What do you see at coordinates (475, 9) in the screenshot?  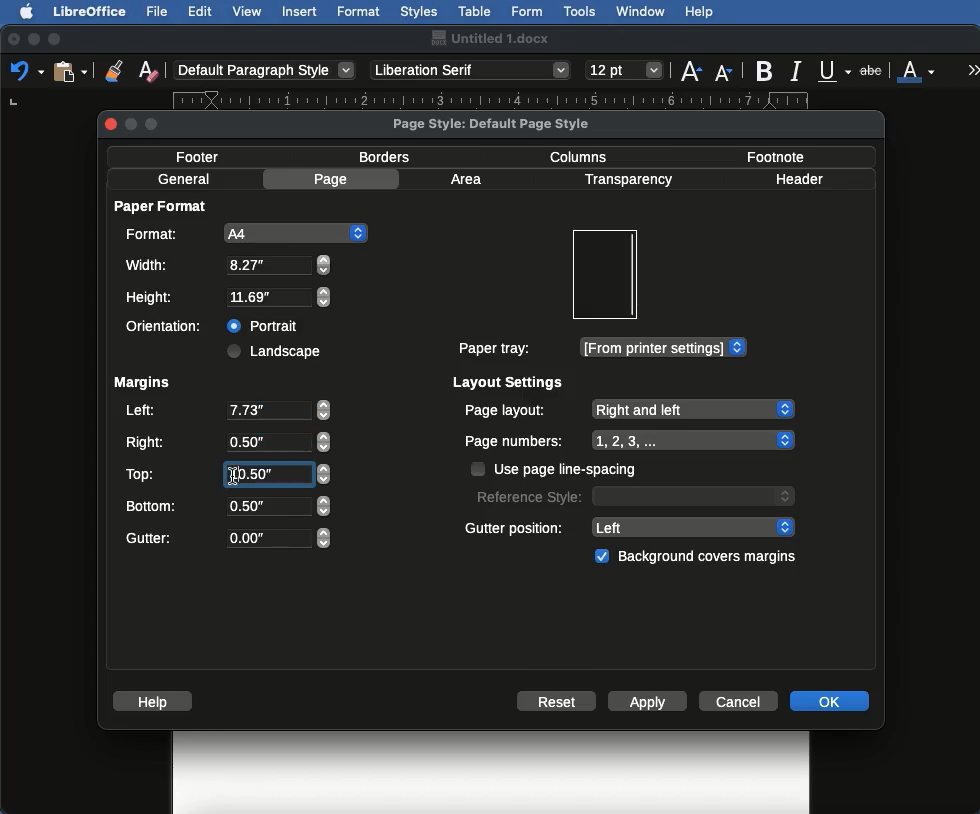 I see `Table` at bounding box center [475, 9].